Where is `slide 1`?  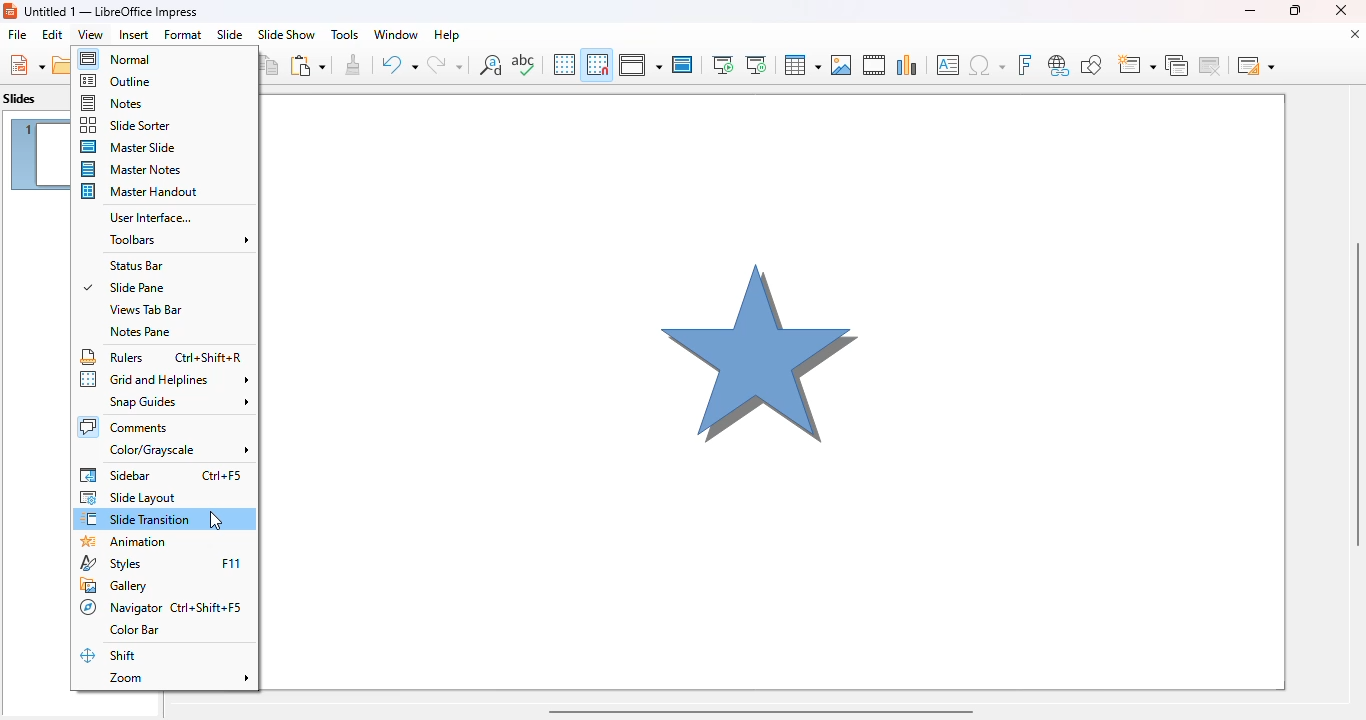 slide 1 is located at coordinates (777, 392).